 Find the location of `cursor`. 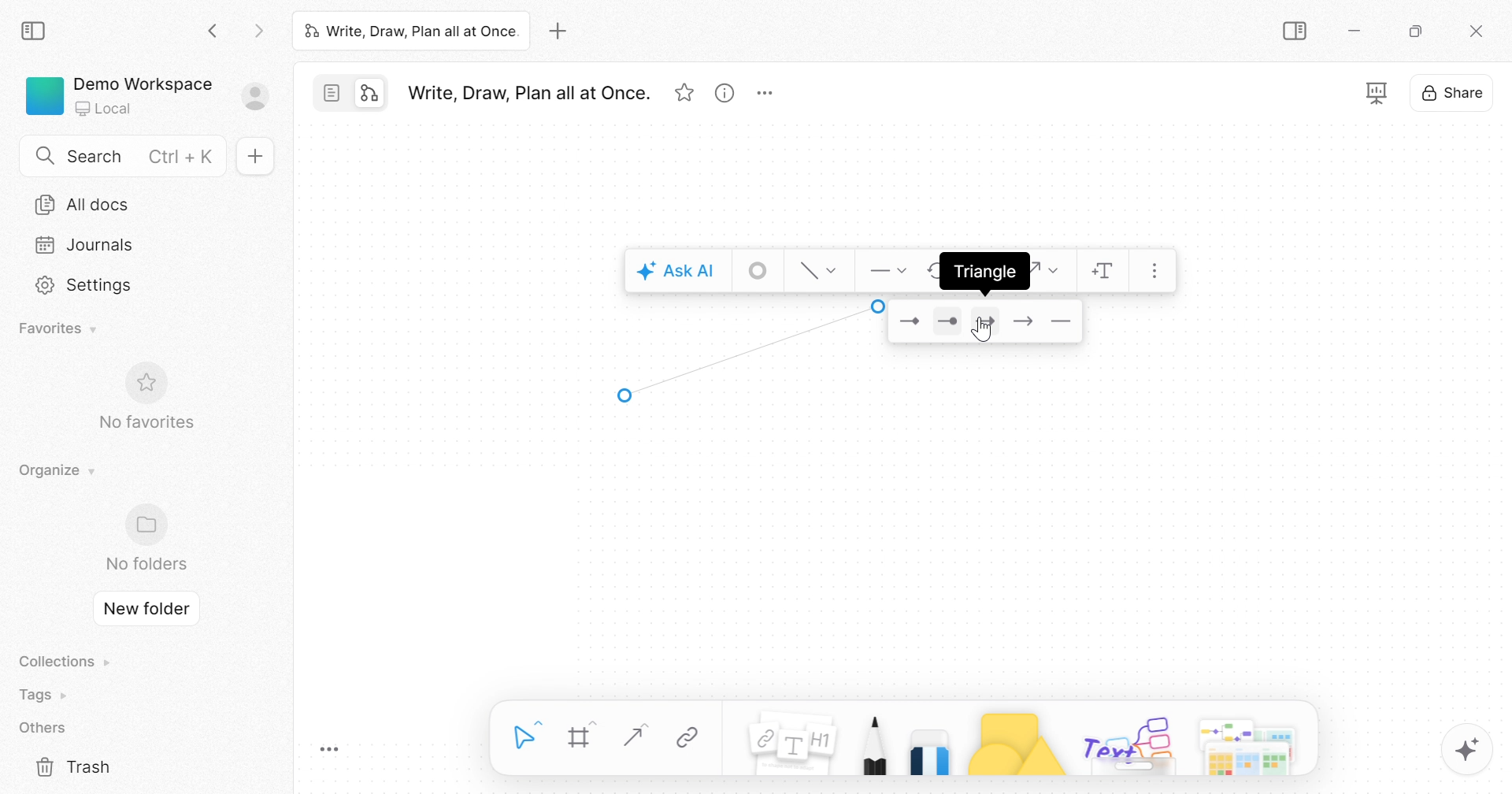

cursor is located at coordinates (982, 332).